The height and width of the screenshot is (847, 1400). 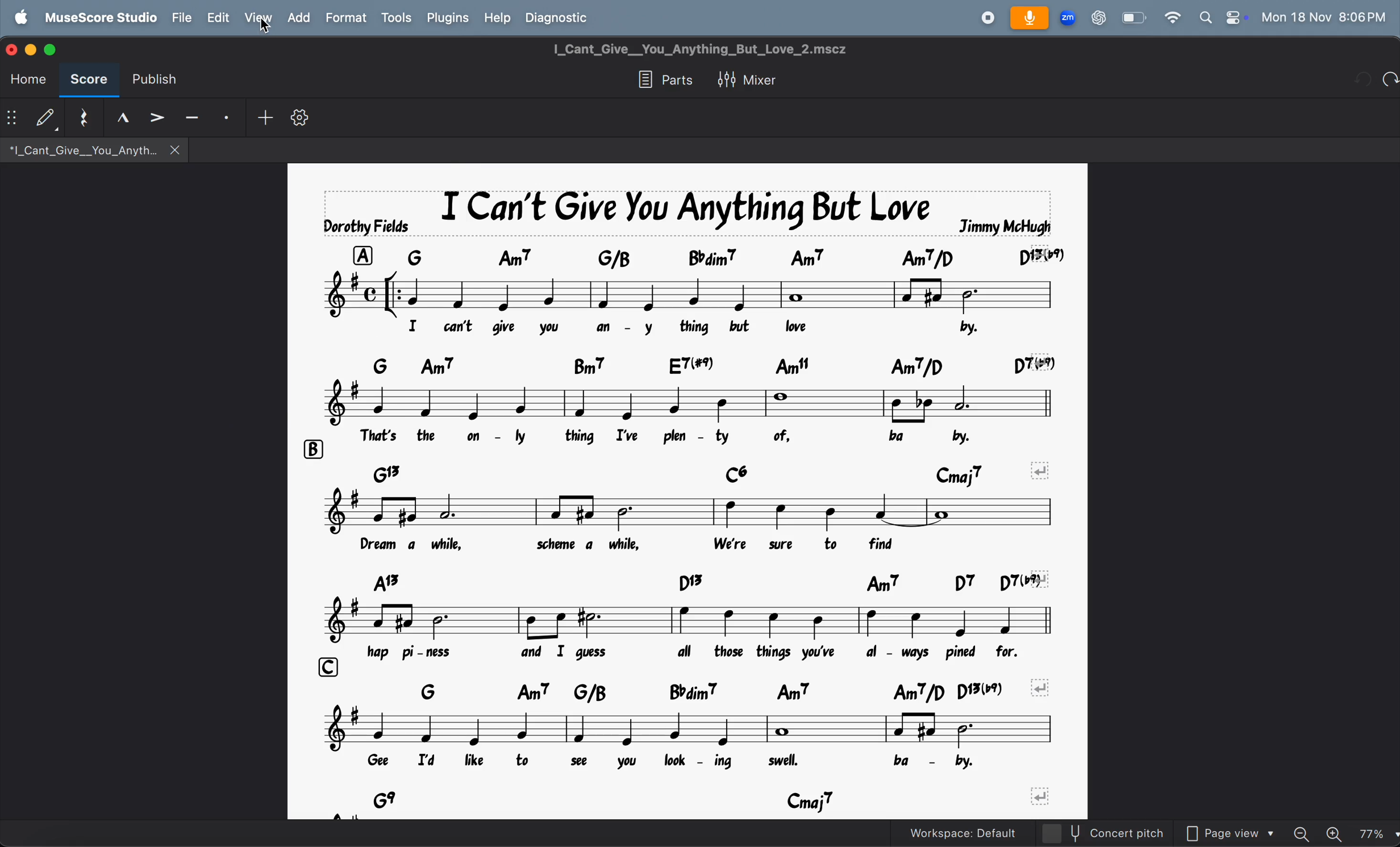 What do you see at coordinates (447, 19) in the screenshot?
I see `plugins` at bounding box center [447, 19].